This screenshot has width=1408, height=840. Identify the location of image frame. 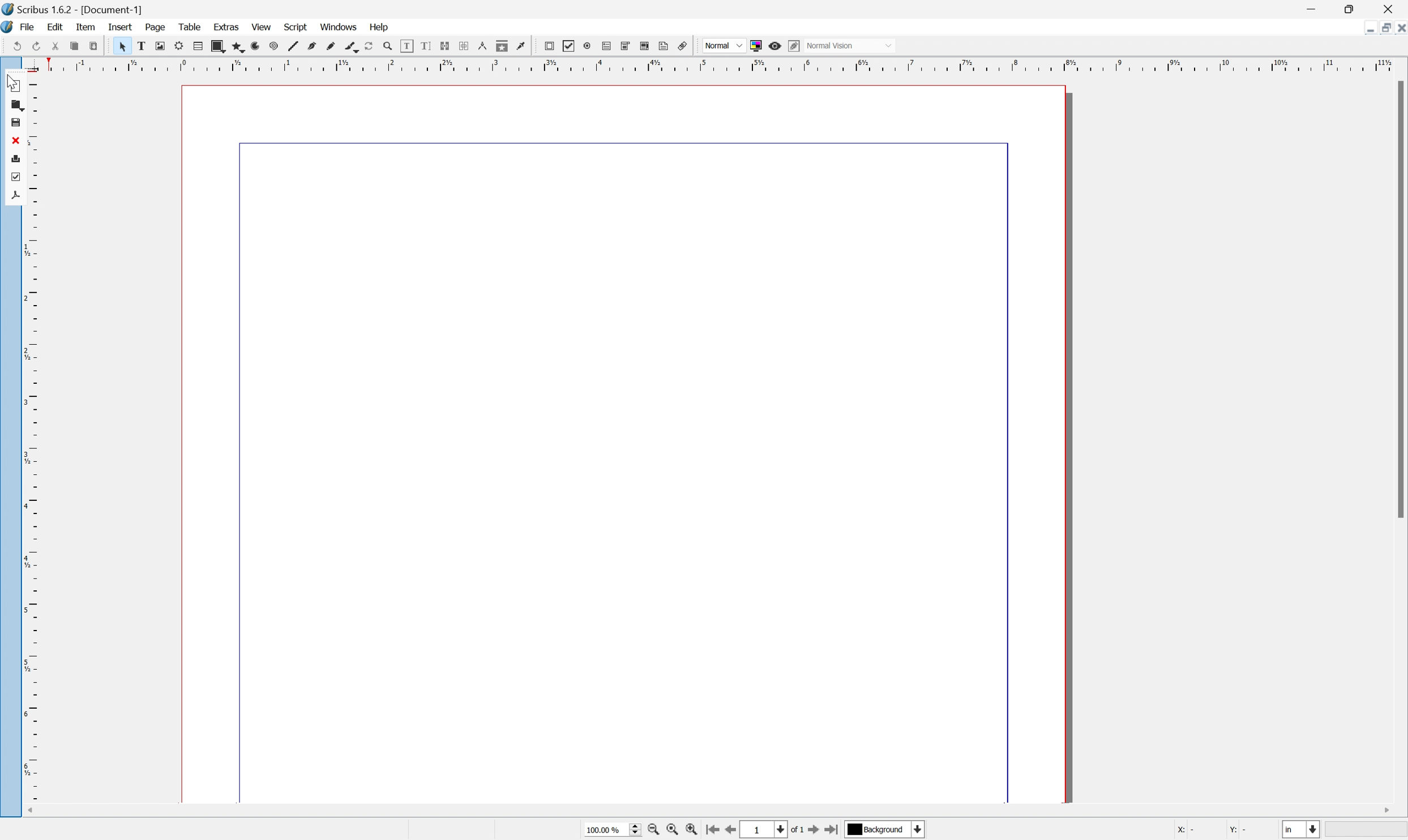
(293, 45).